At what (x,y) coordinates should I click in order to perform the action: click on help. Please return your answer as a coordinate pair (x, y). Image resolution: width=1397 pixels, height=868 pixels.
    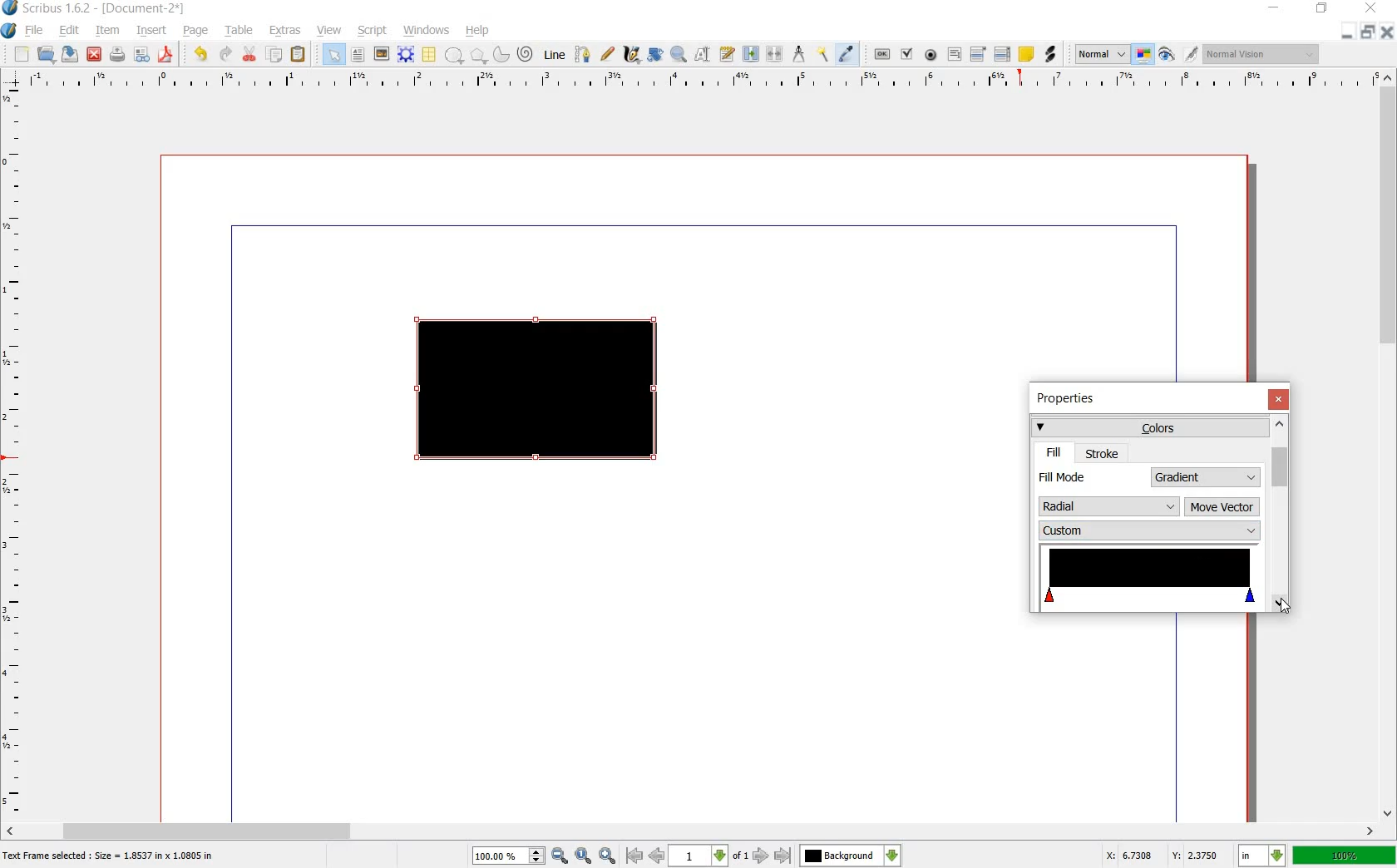
    Looking at the image, I should click on (478, 31).